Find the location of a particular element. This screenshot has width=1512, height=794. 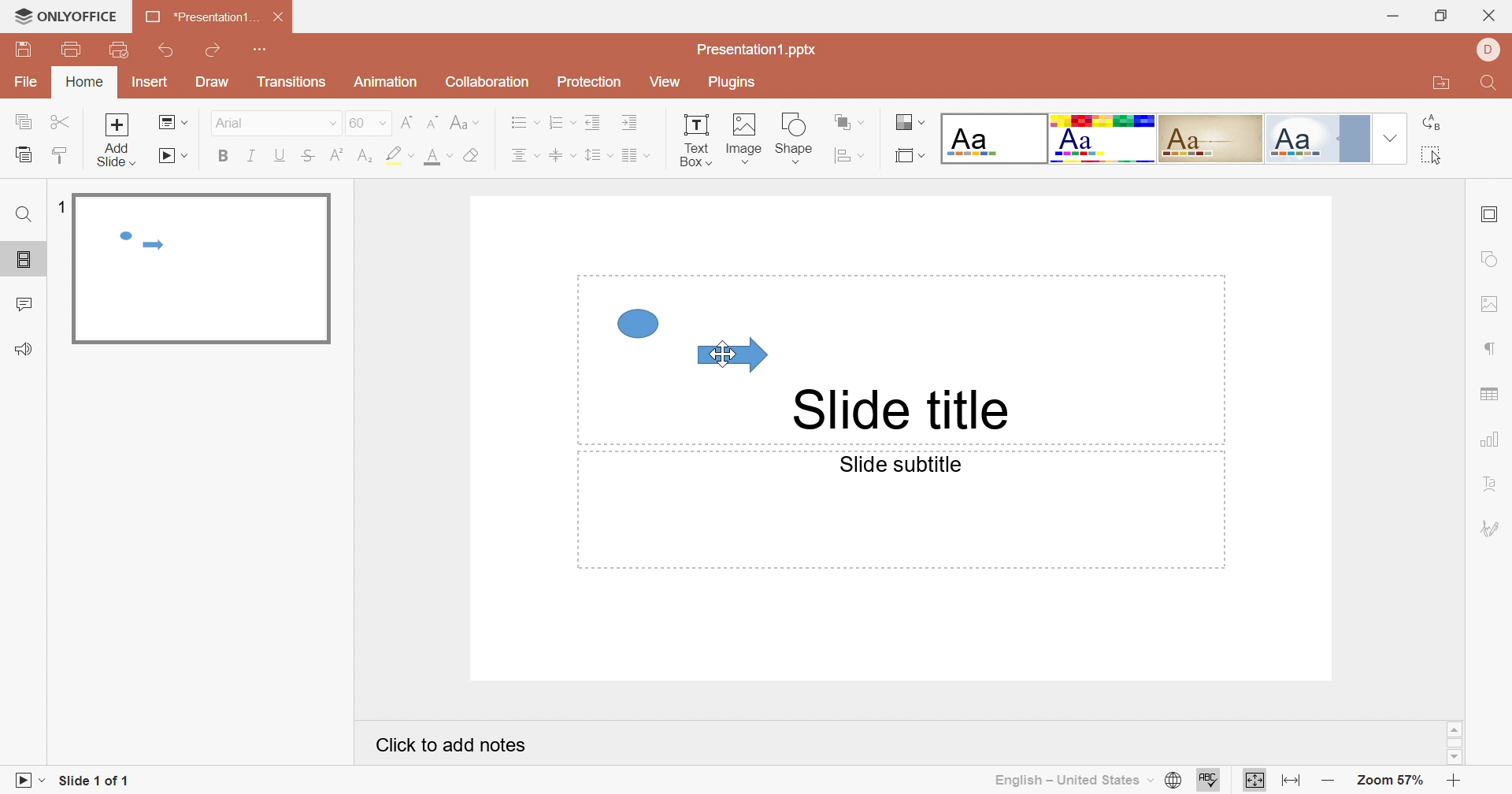

Change slide layout is located at coordinates (174, 121).